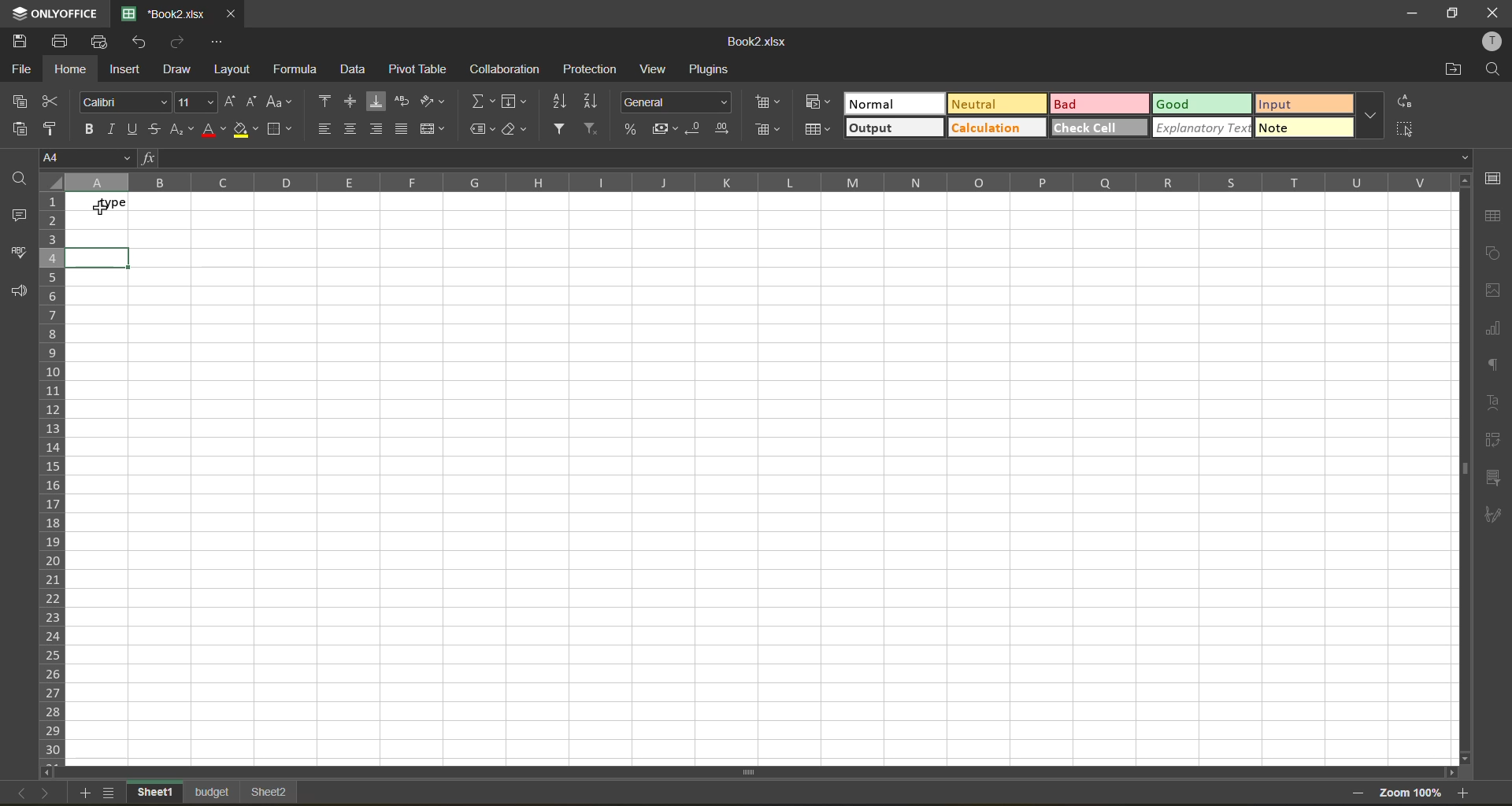  What do you see at coordinates (1494, 216) in the screenshot?
I see `table` at bounding box center [1494, 216].